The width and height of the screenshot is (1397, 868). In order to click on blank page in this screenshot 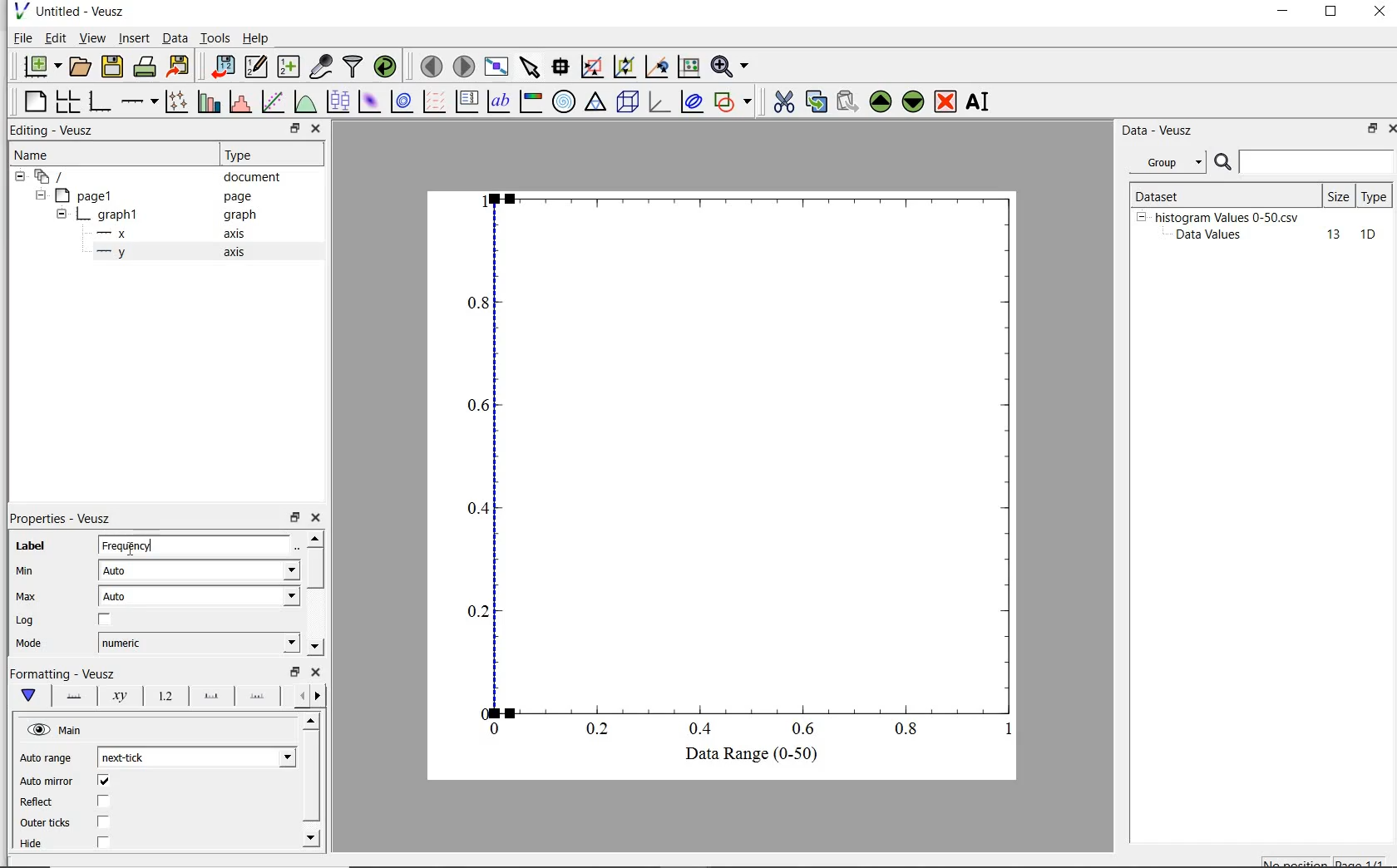, I will do `click(36, 101)`.